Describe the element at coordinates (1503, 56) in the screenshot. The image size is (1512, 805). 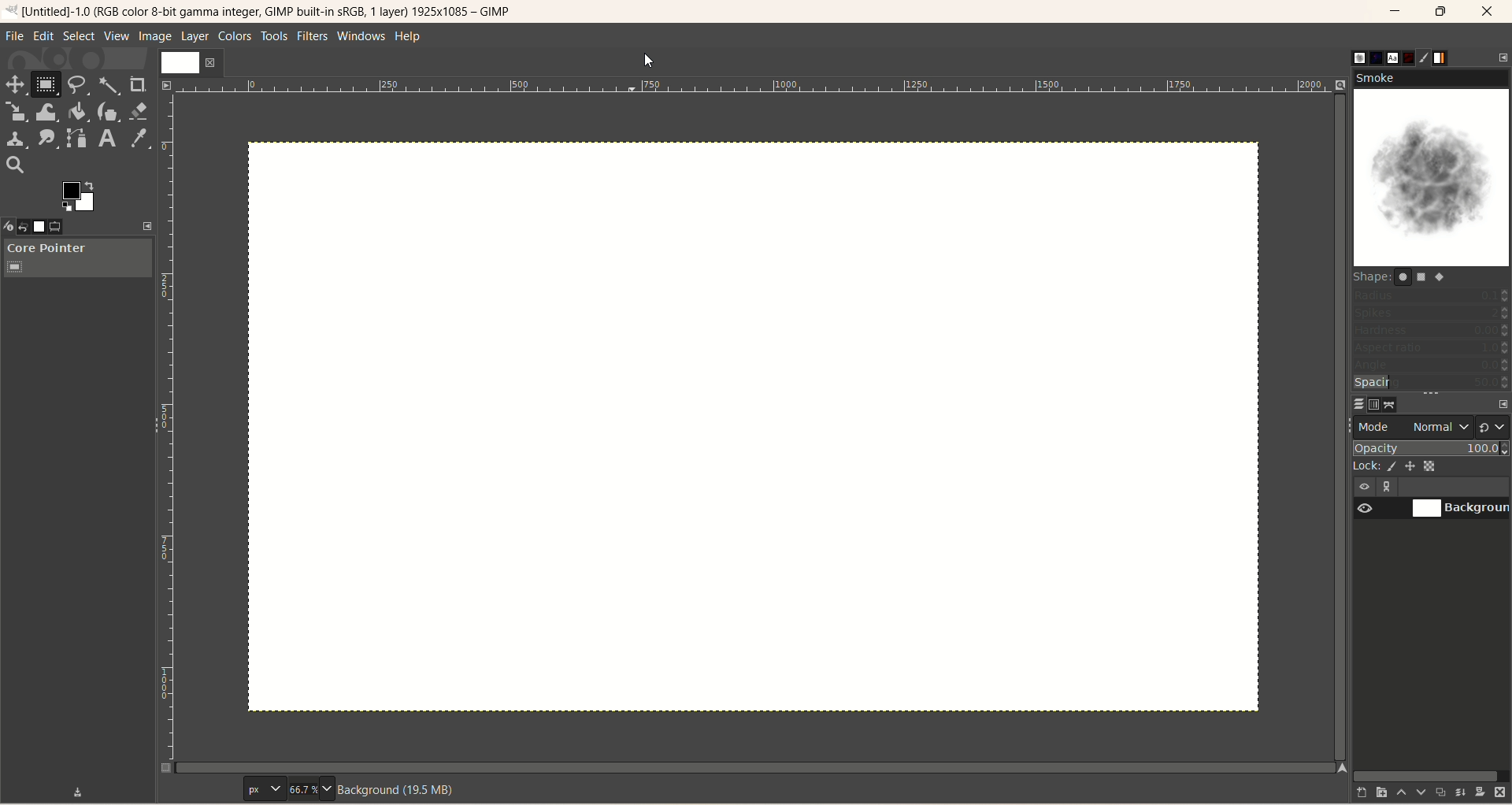
I see `configure this tab` at that location.